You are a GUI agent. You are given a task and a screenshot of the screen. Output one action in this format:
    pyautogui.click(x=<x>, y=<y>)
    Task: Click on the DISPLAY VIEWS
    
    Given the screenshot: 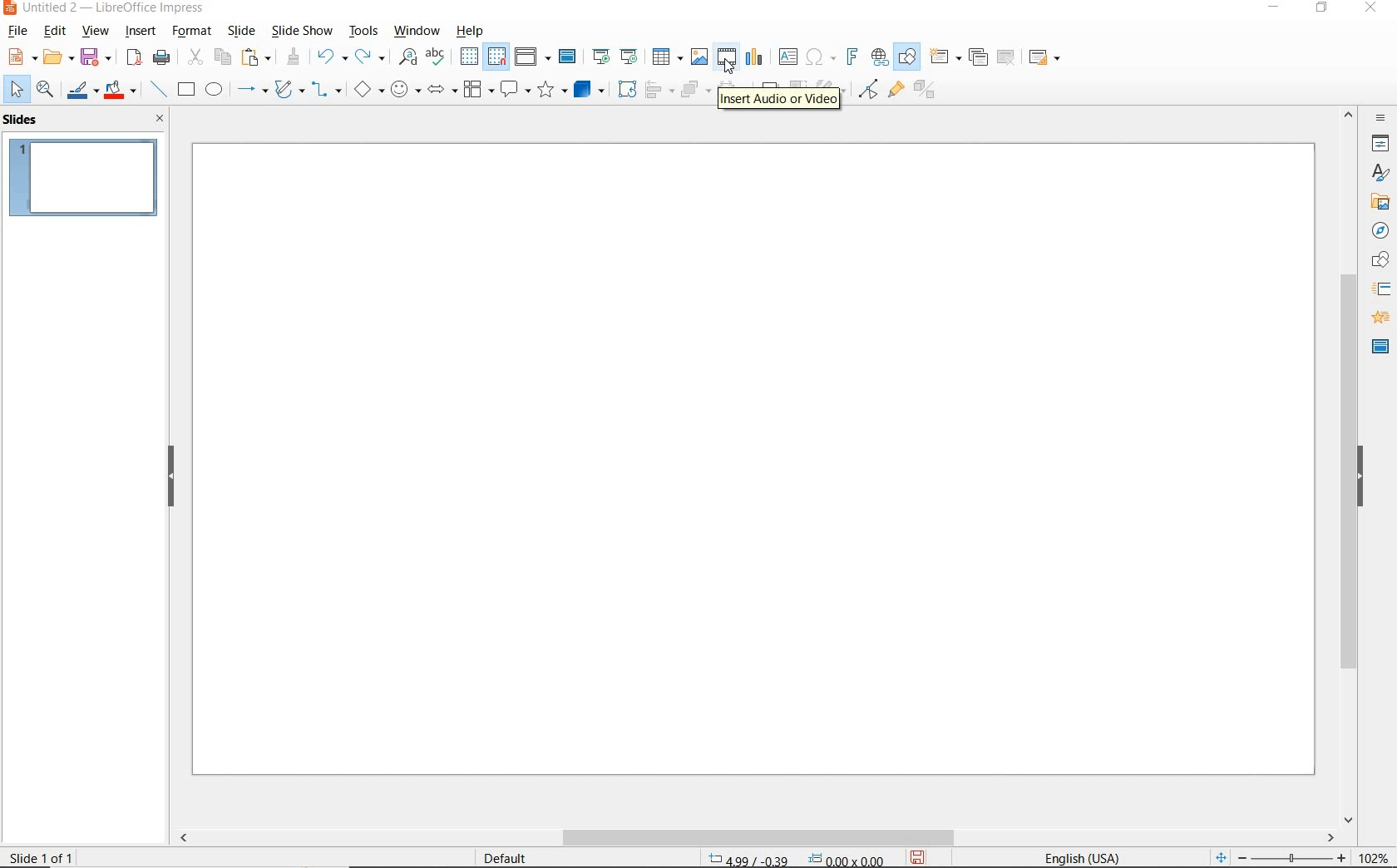 What is the action you would take?
    pyautogui.click(x=531, y=55)
    